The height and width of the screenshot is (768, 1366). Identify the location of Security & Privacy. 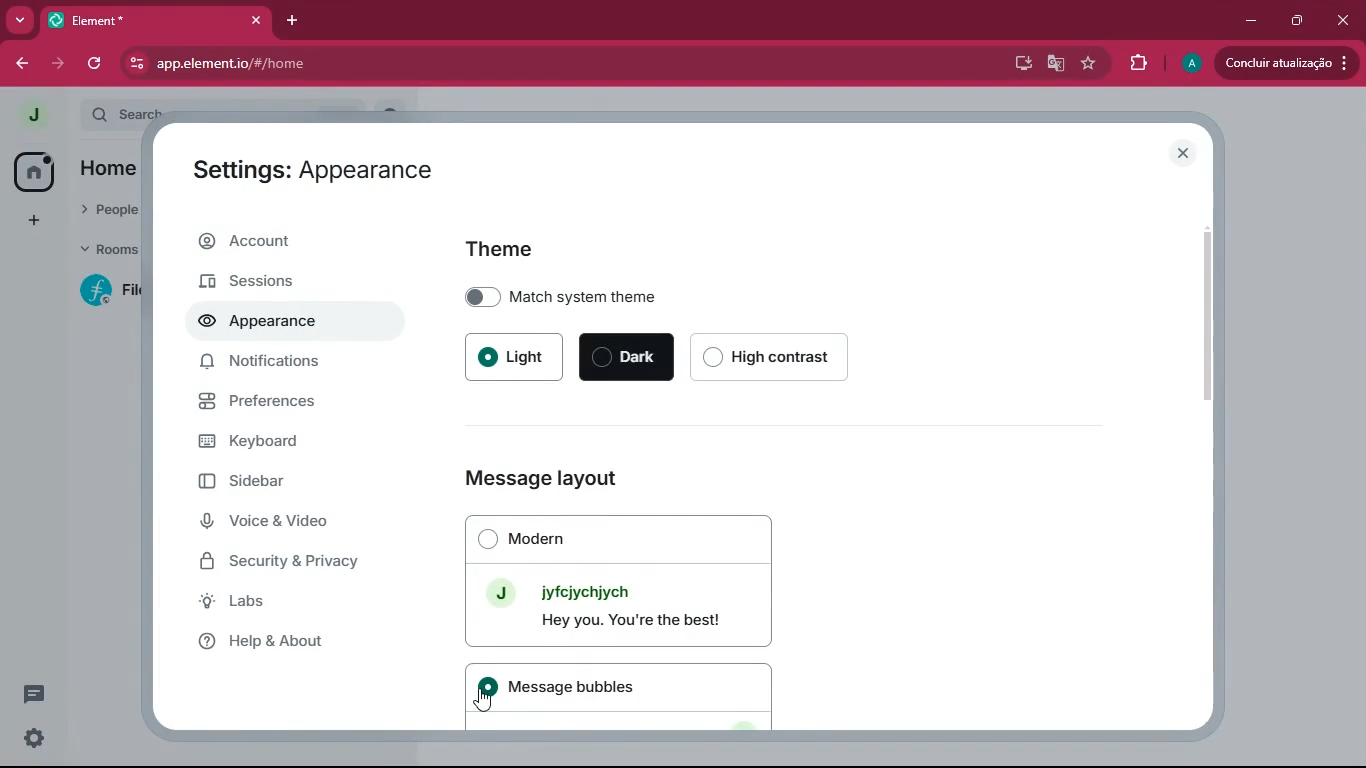
(288, 562).